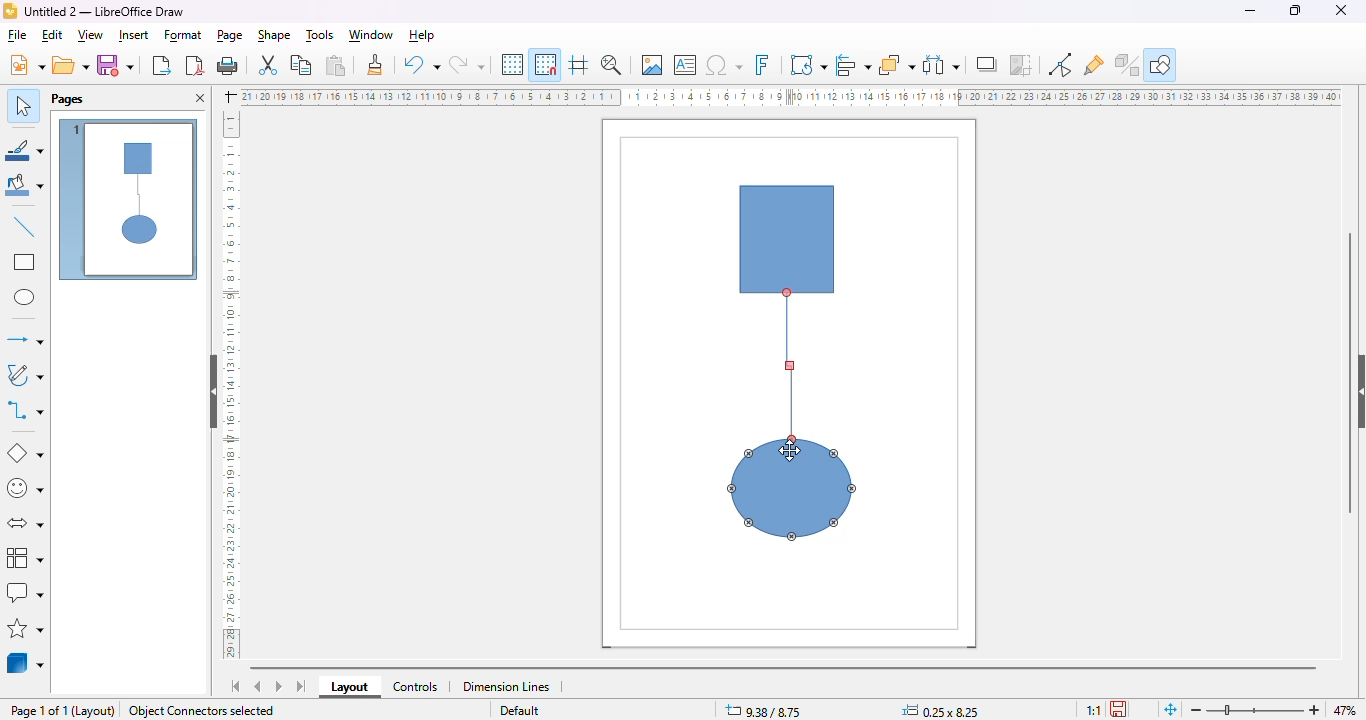  What do you see at coordinates (897, 65) in the screenshot?
I see `arrange` at bounding box center [897, 65].